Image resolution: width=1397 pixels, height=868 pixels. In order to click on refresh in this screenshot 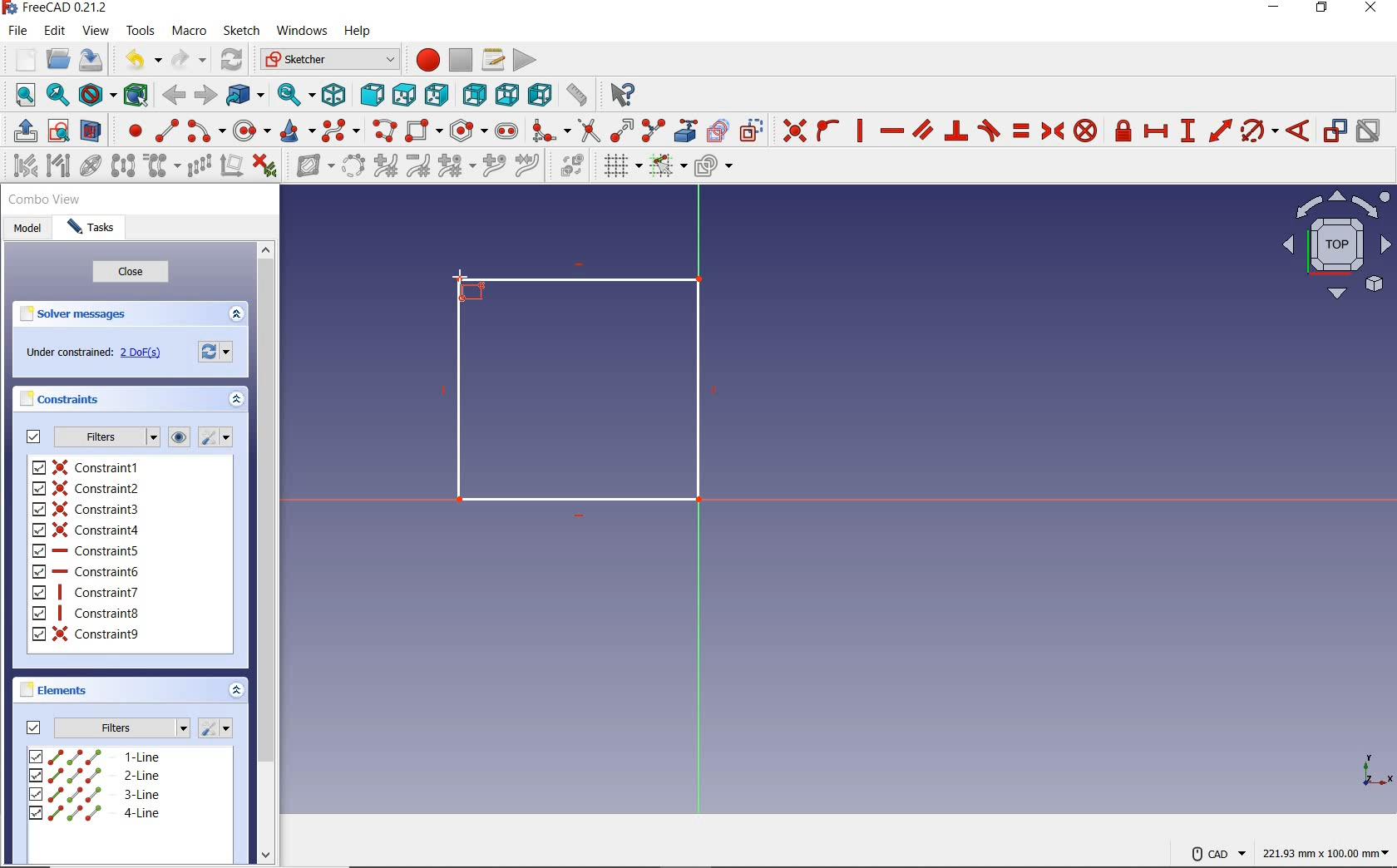, I will do `click(233, 61)`.